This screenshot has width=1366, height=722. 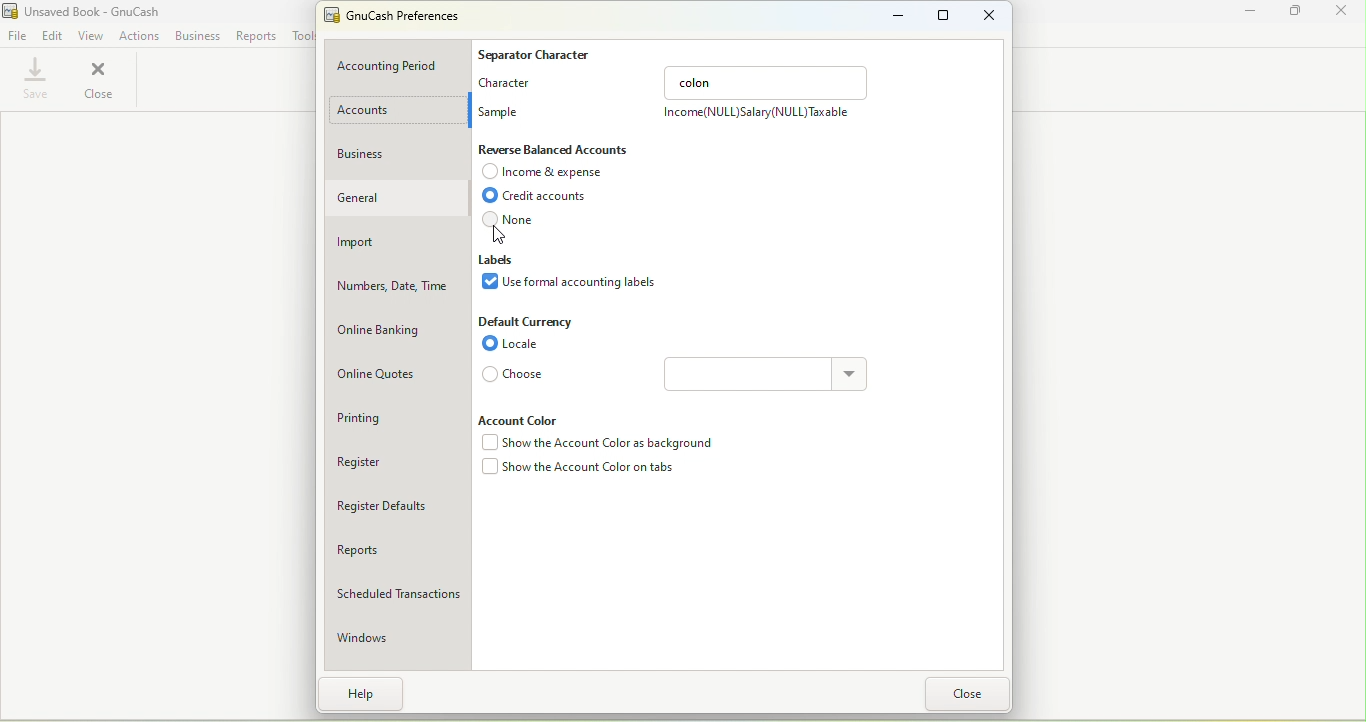 What do you see at coordinates (92, 34) in the screenshot?
I see `View` at bounding box center [92, 34].